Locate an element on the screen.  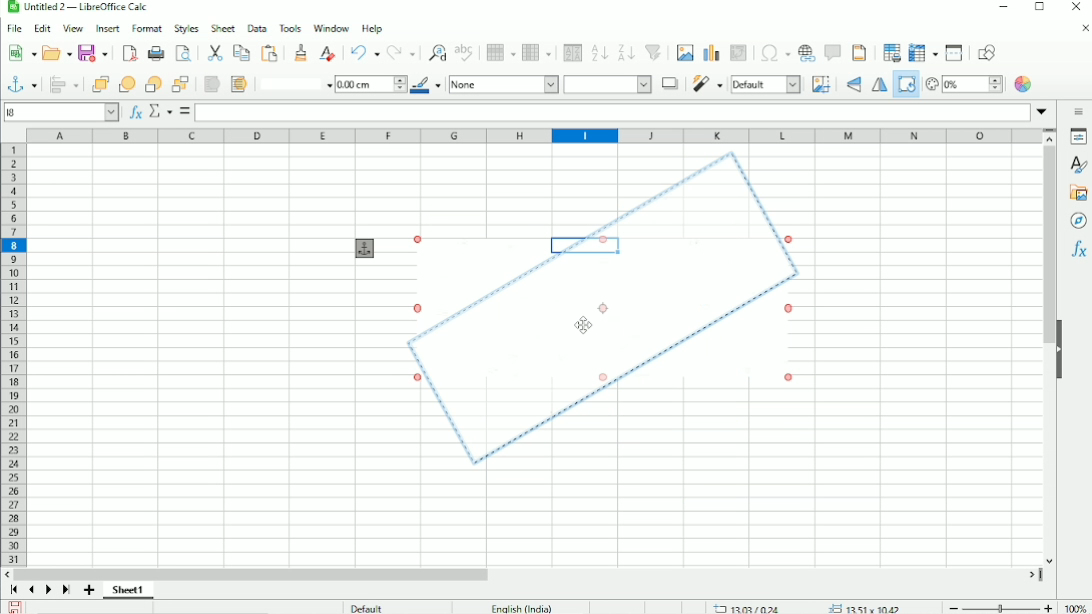
Formula is located at coordinates (184, 111).